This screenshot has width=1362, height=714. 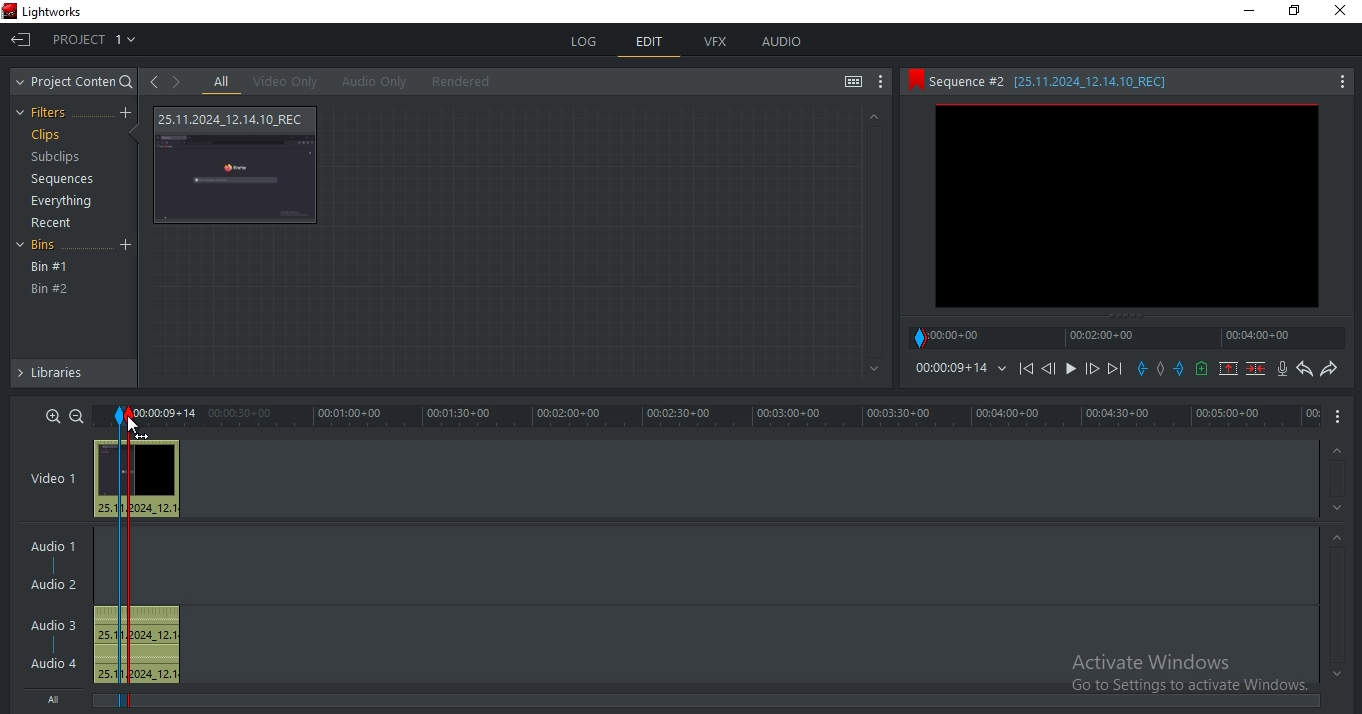 What do you see at coordinates (135, 427) in the screenshot?
I see `Cursor` at bounding box center [135, 427].